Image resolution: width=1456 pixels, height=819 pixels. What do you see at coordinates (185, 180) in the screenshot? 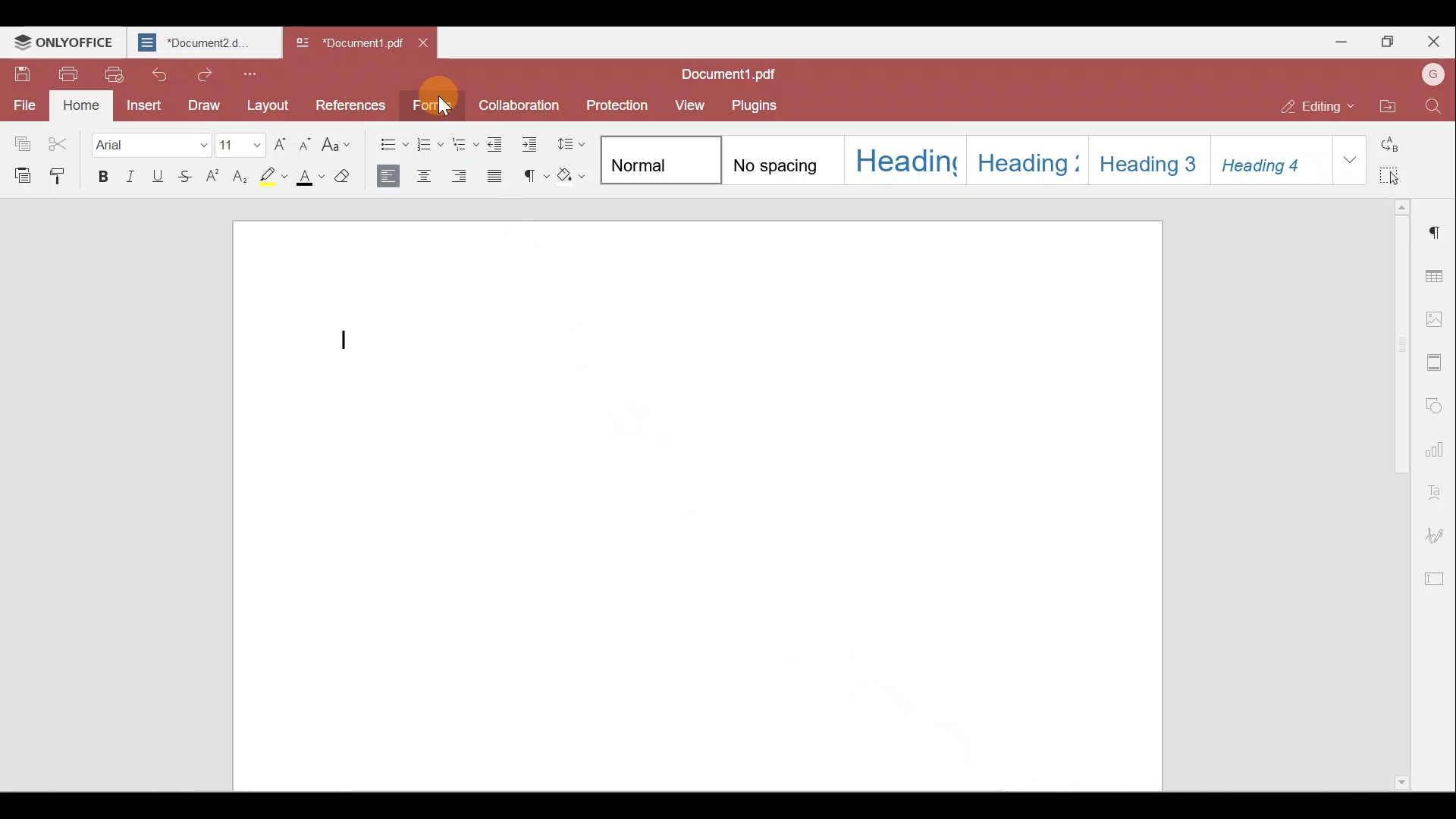
I see `Strikethrough` at bounding box center [185, 180].